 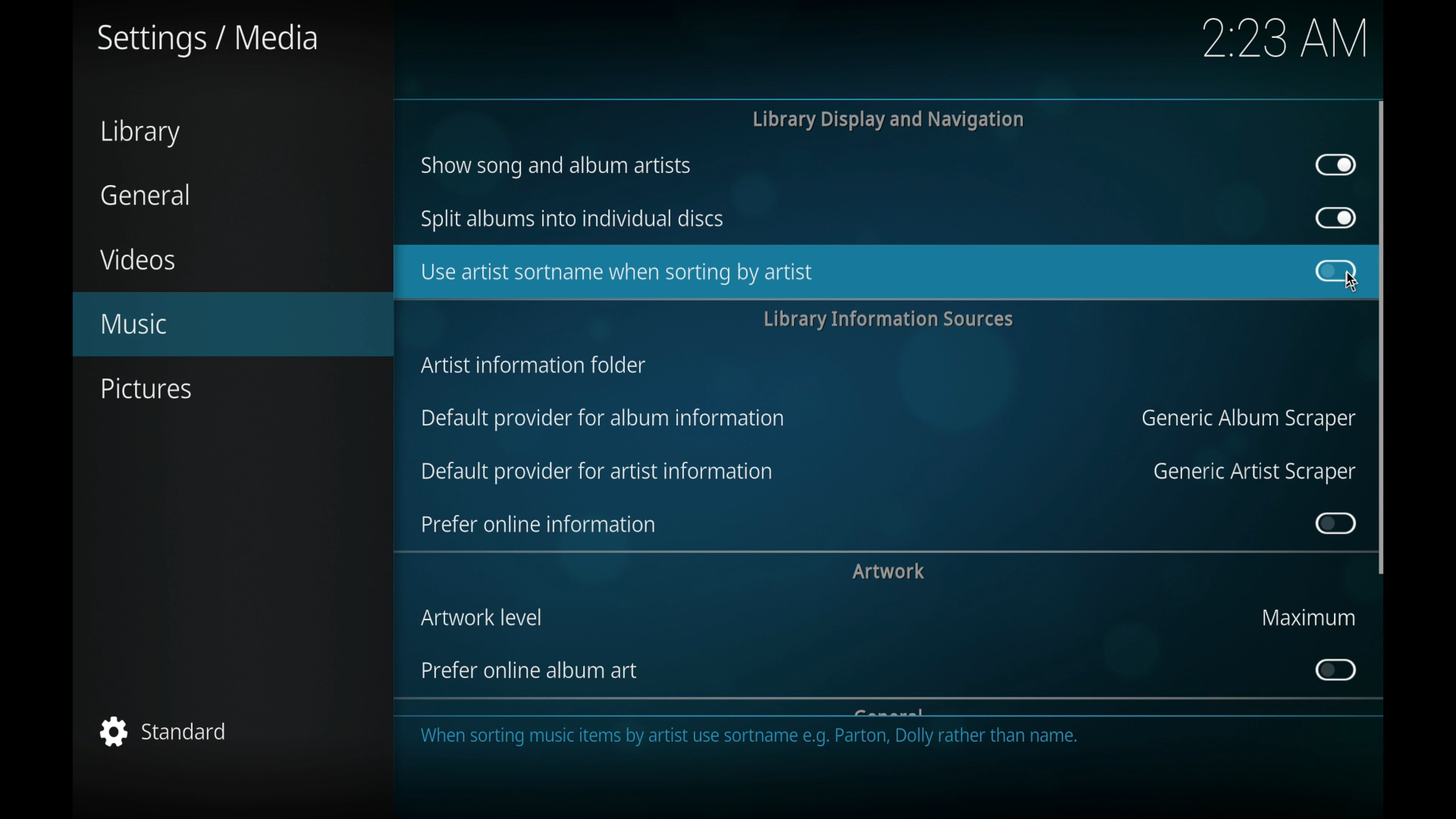 I want to click on library display and navigation, so click(x=887, y=119).